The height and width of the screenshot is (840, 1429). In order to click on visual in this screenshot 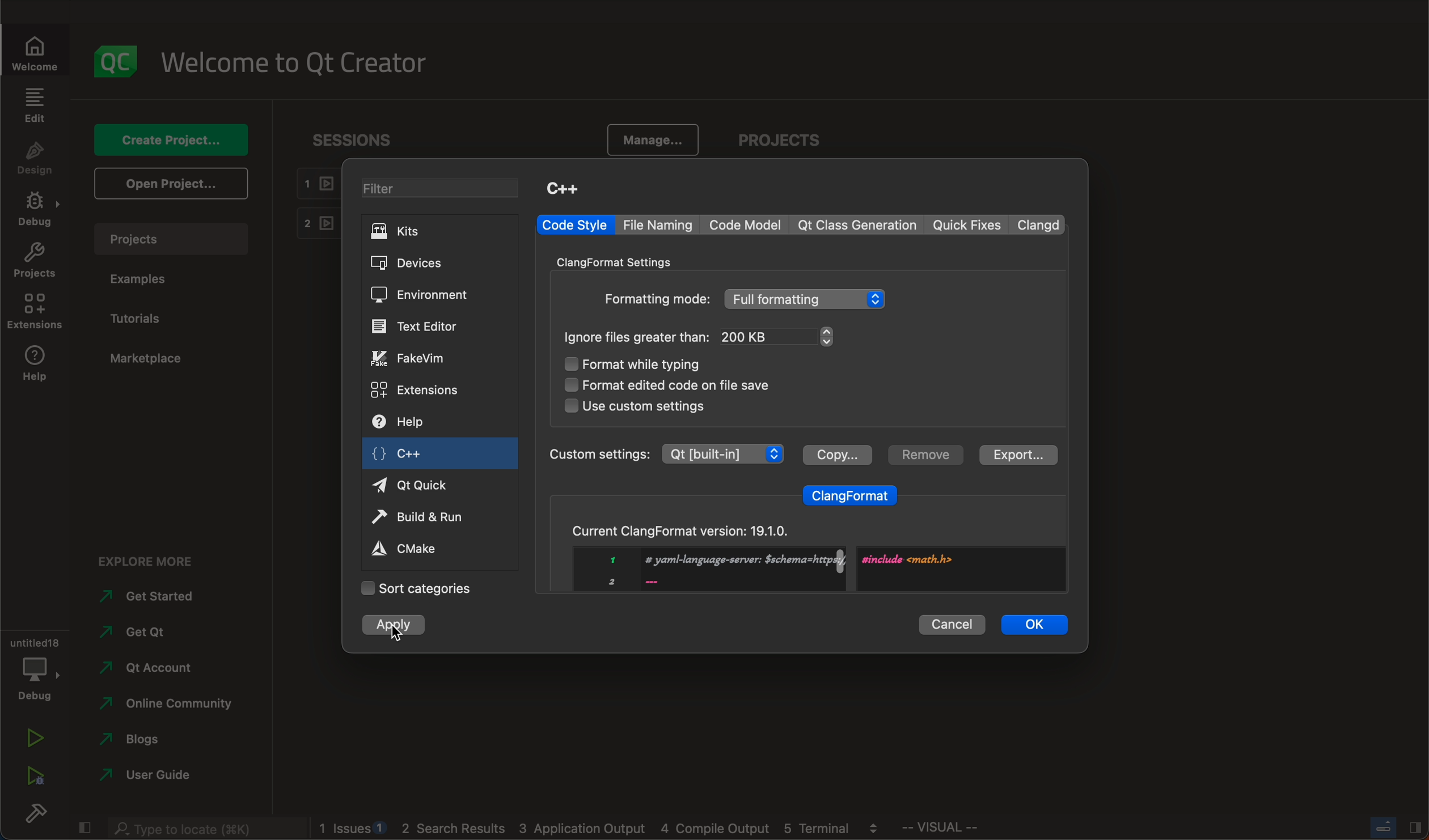, I will do `click(969, 830)`.